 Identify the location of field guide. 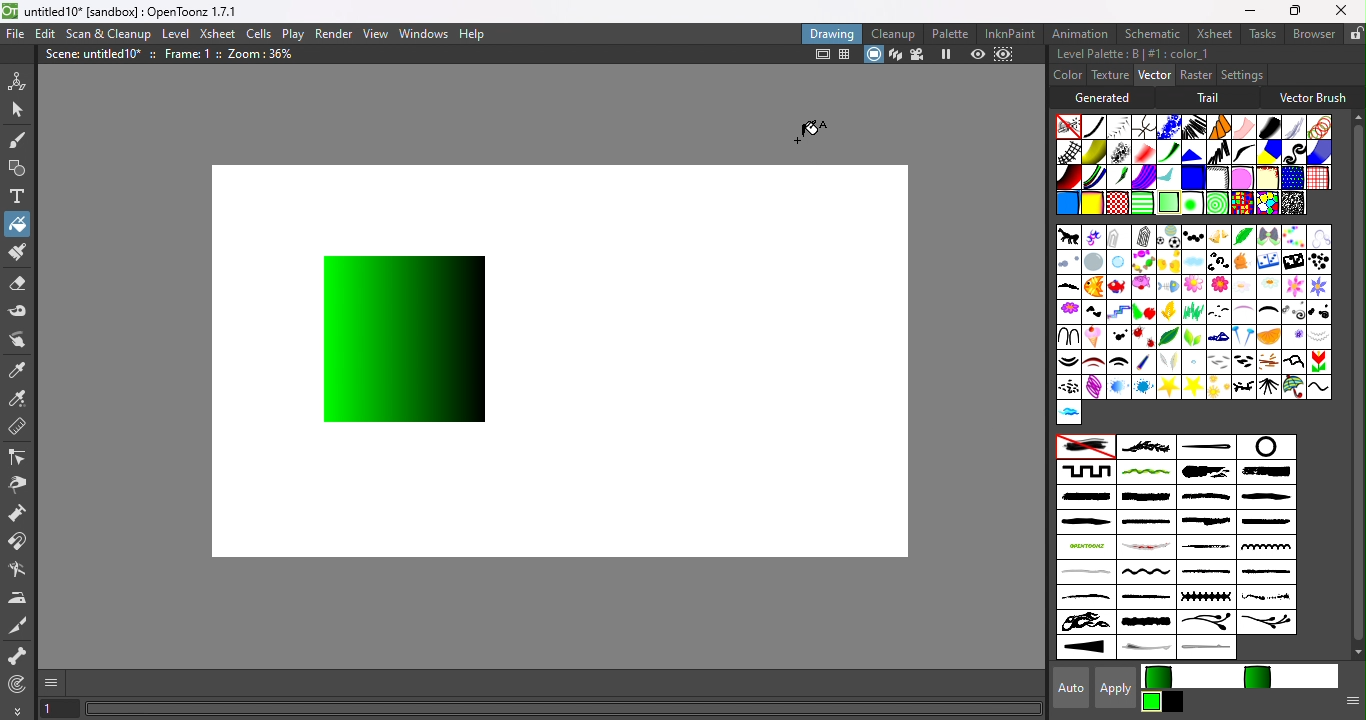
(846, 56).